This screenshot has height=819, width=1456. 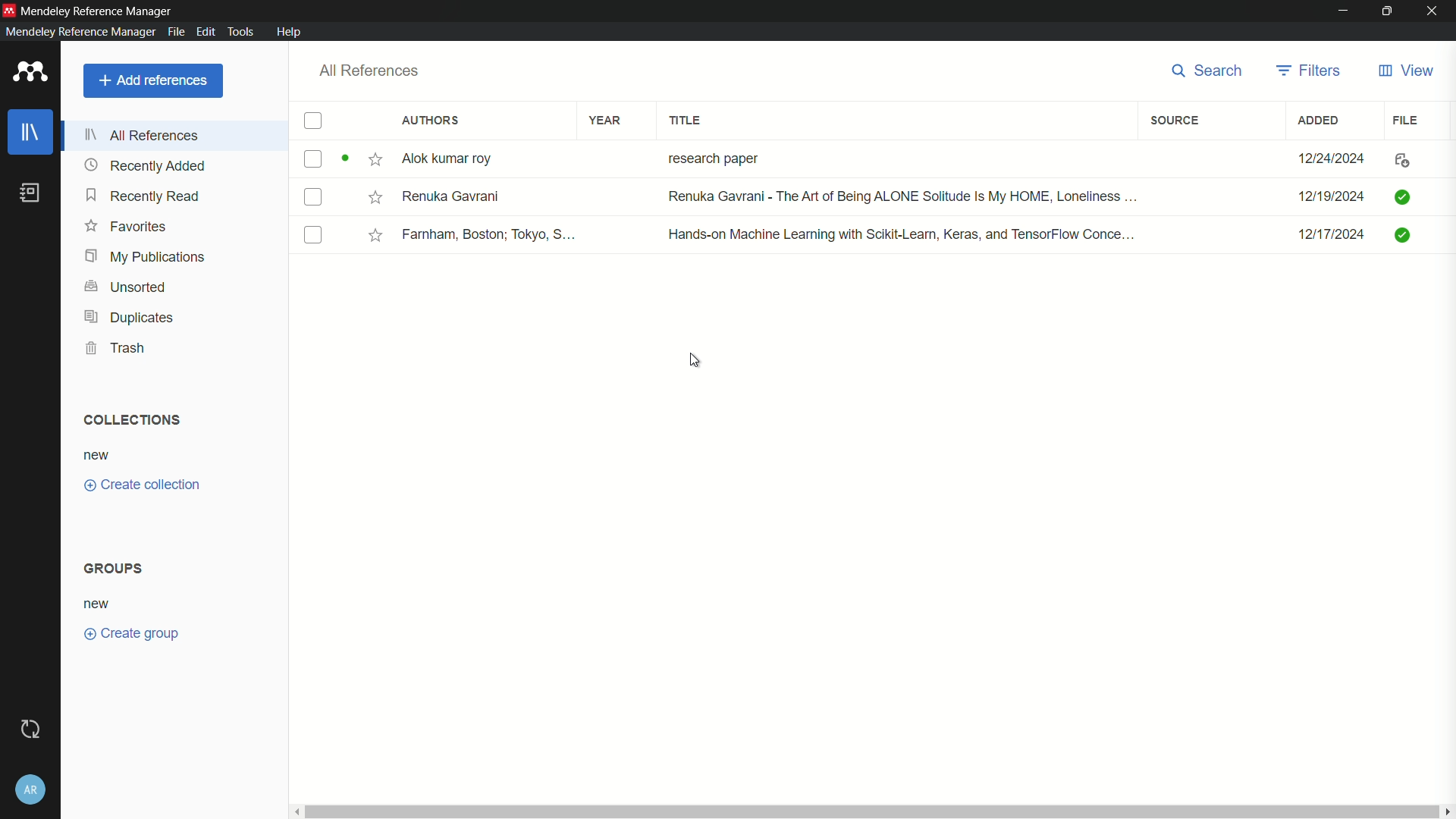 I want to click on source, so click(x=1175, y=121).